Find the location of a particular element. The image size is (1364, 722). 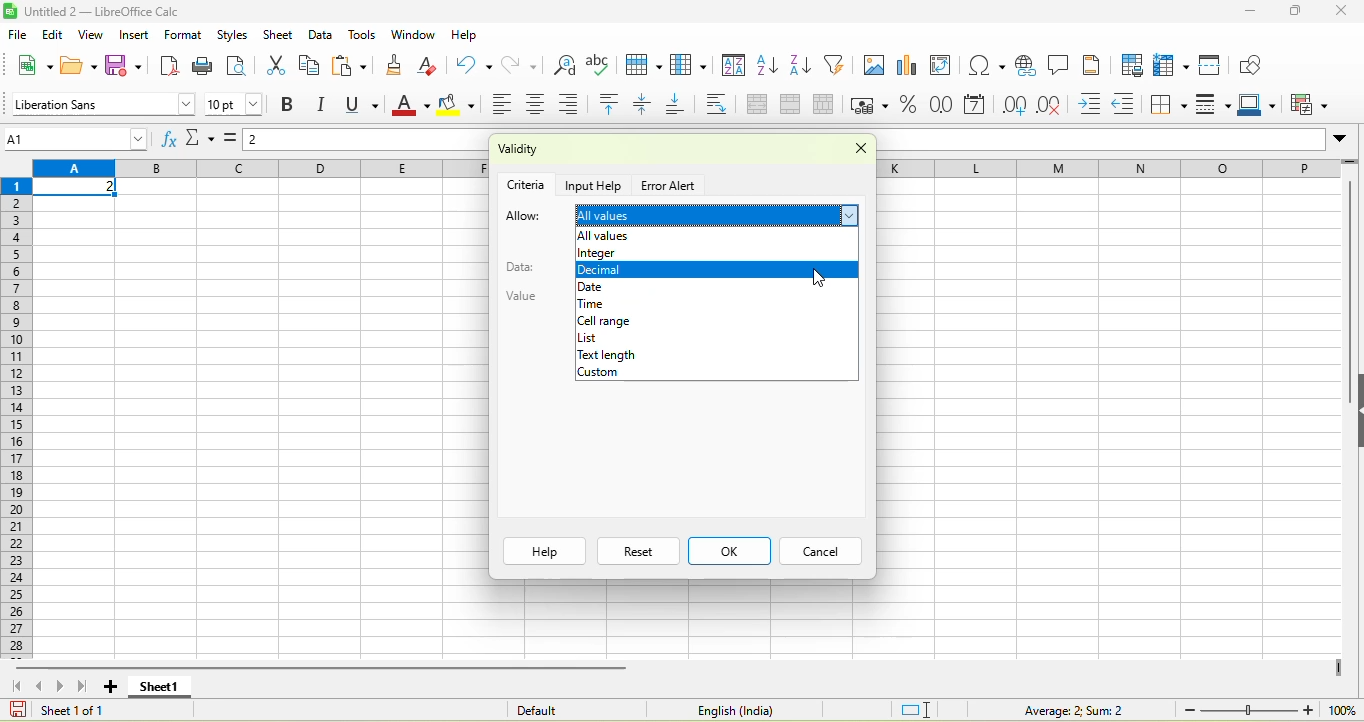

sheet 1 is located at coordinates (158, 687).